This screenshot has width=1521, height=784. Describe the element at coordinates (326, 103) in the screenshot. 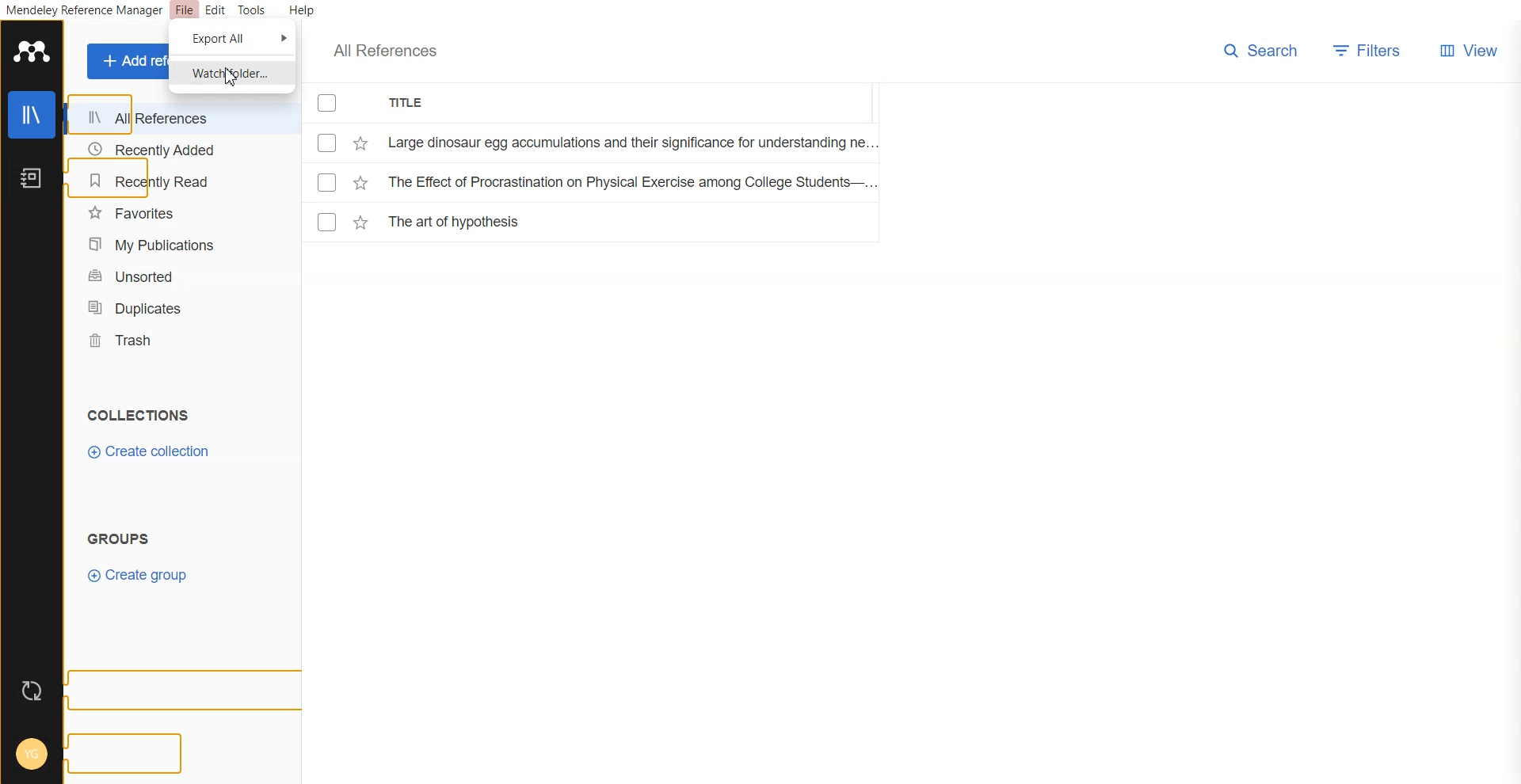

I see `Checkmarks` at that location.